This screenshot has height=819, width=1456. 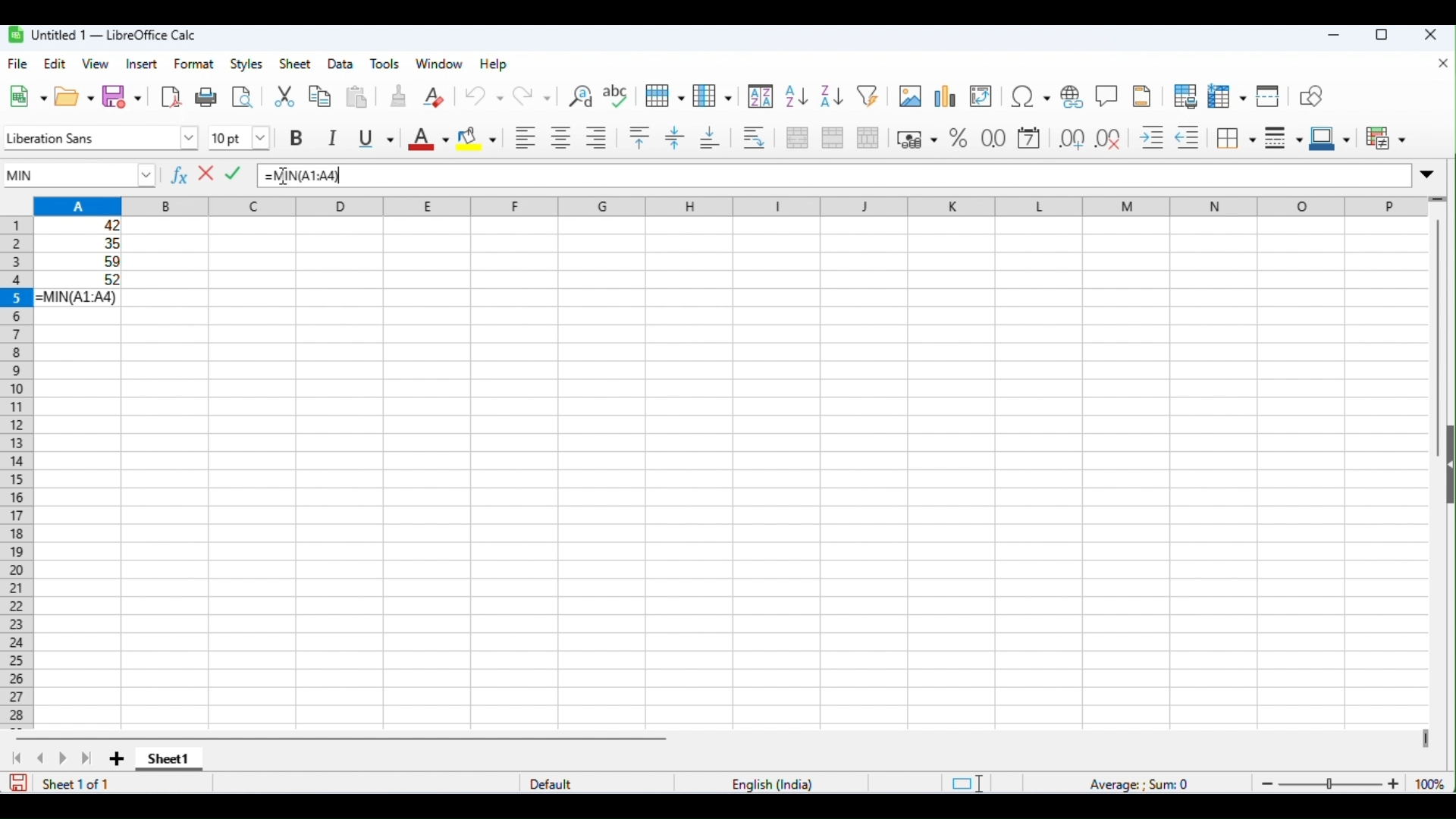 What do you see at coordinates (523, 137) in the screenshot?
I see `align left` at bounding box center [523, 137].